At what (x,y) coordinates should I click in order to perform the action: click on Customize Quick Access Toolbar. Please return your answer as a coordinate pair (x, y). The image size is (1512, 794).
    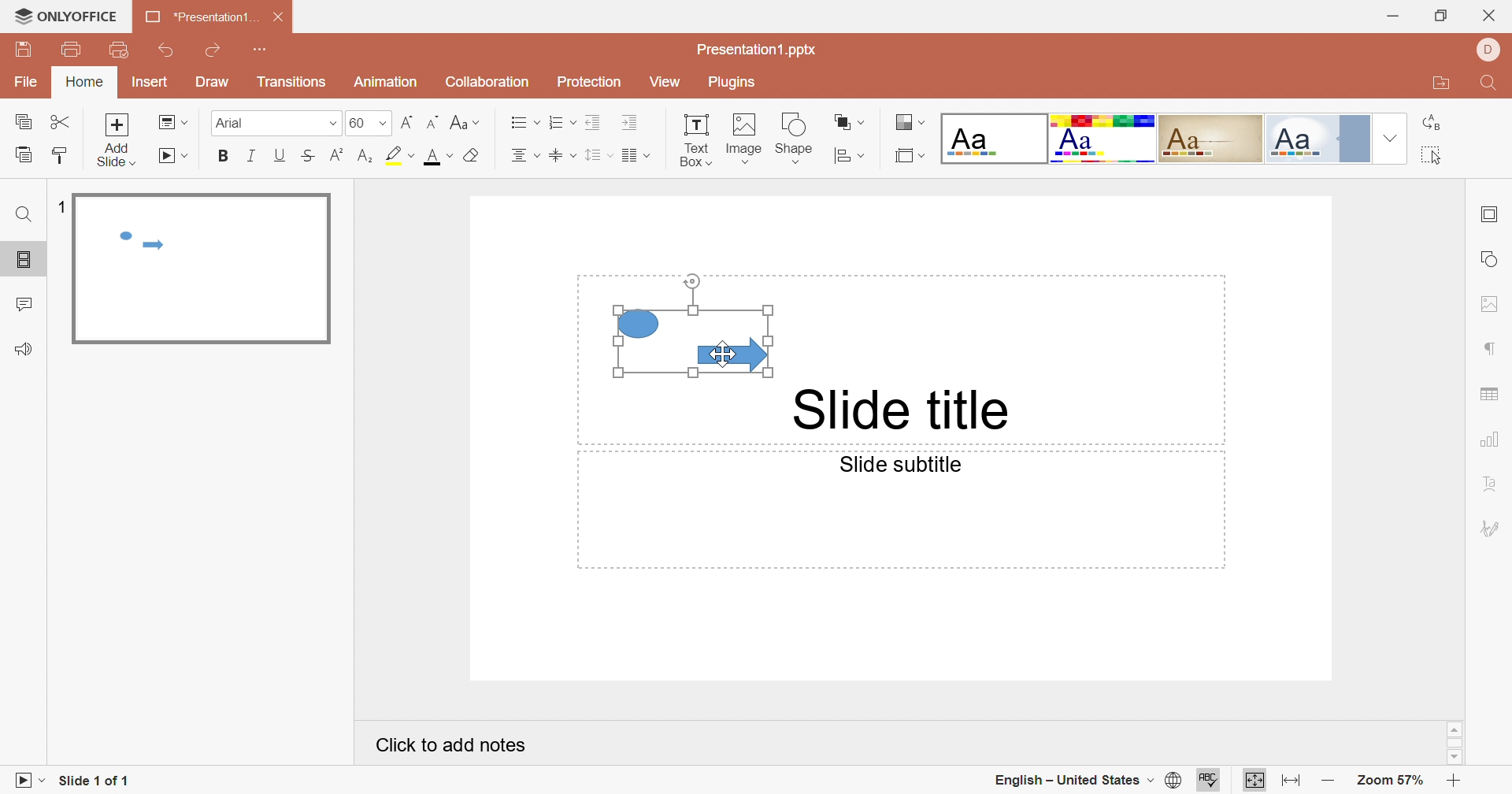
    Looking at the image, I should click on (261, 50).